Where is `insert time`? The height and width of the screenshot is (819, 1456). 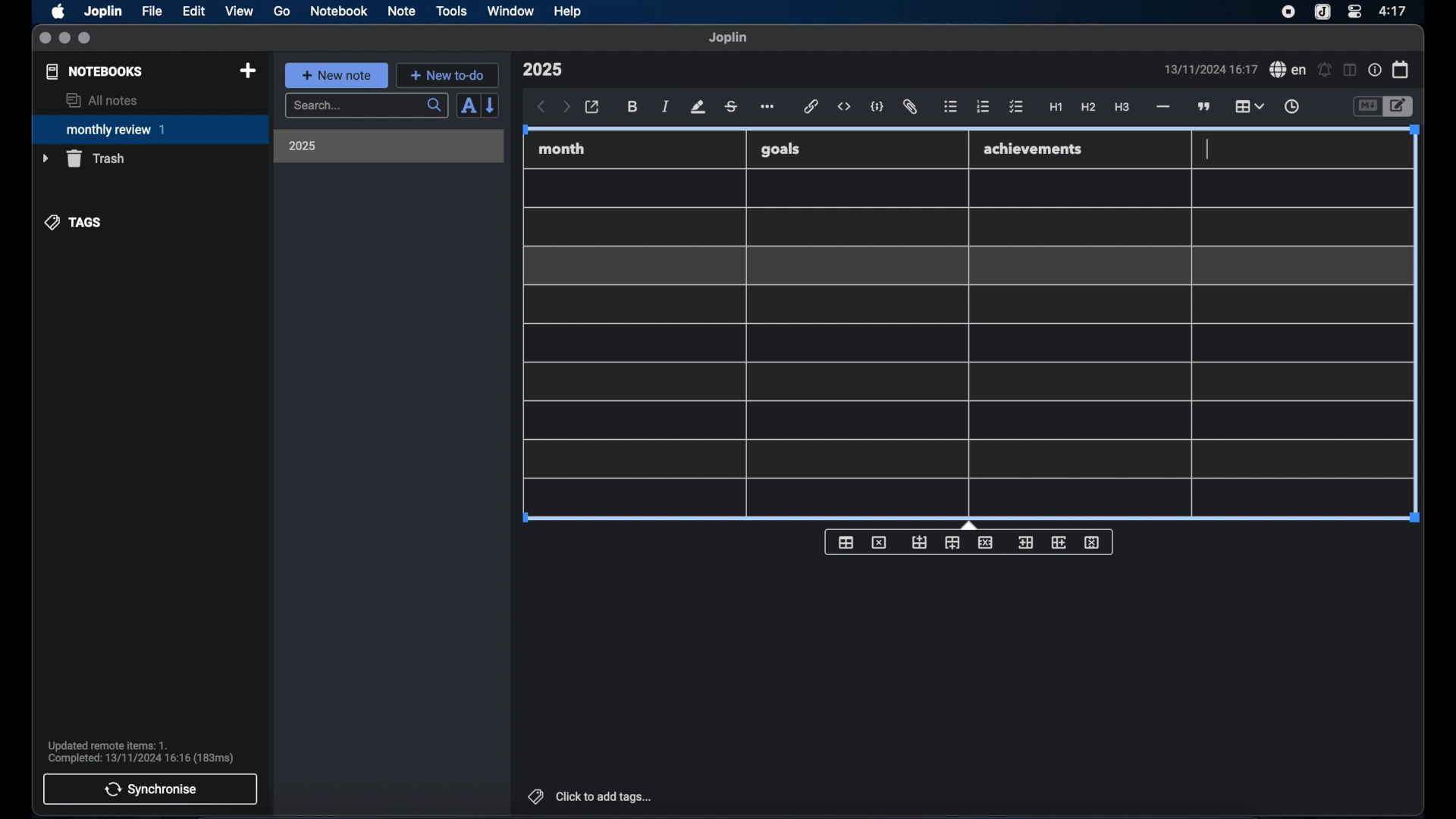 insert time is located at coordinates (1291, 107).